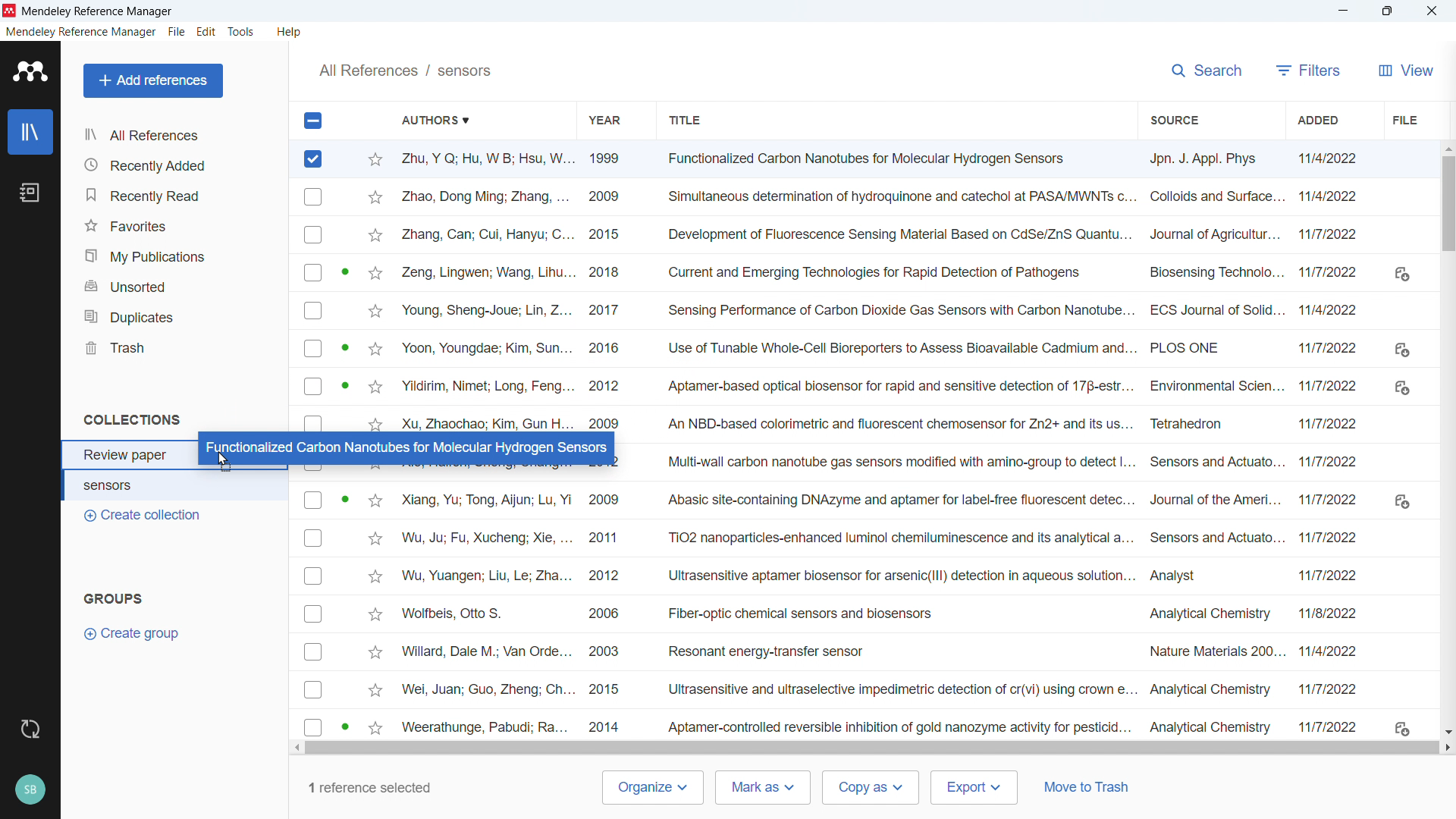 Image resolution: width=1456 pixels, height=819 pixels. Describe the element at coordinates (177, 256) in the screenshot. I see `Publications ` at that location.